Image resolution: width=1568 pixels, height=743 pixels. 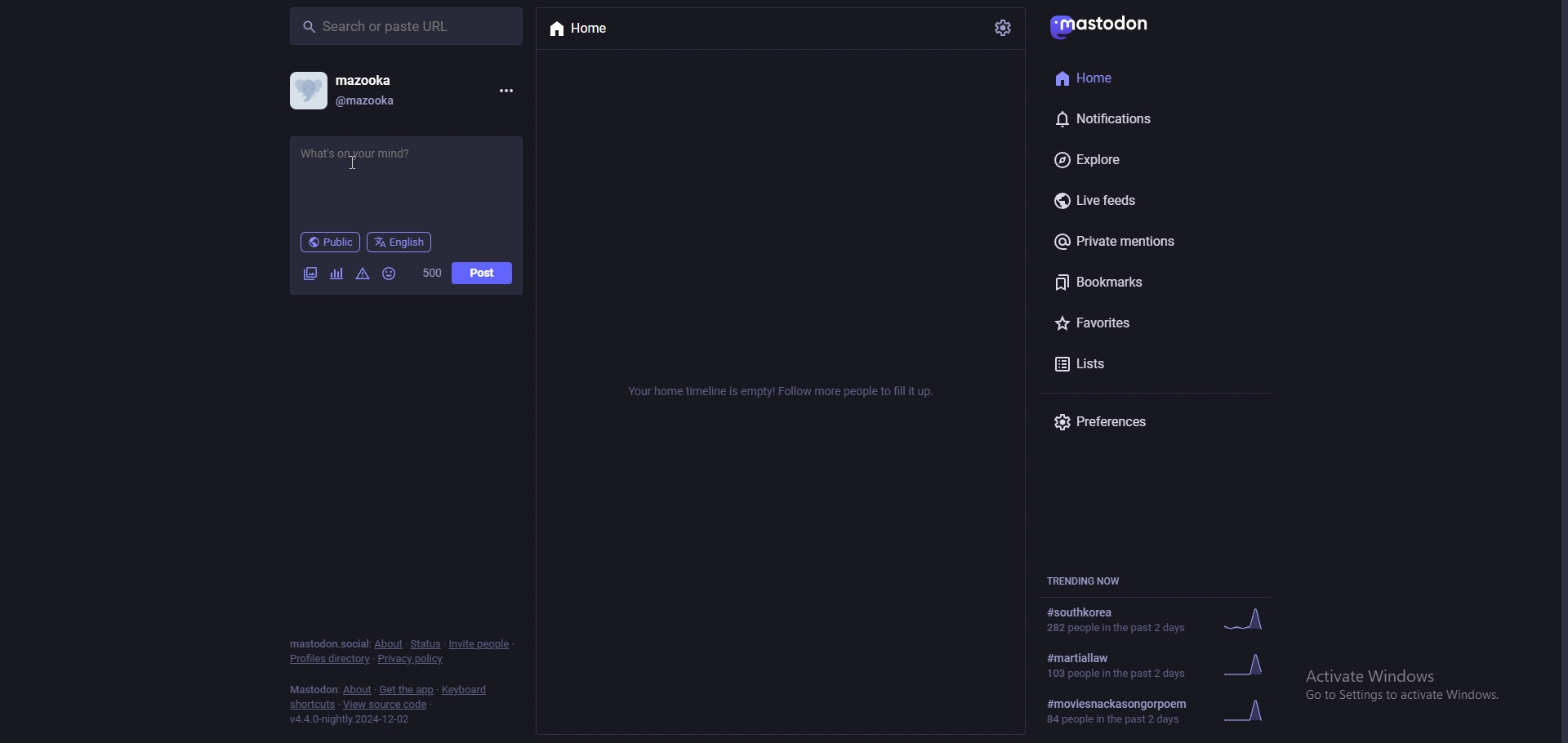 What do you see at coordinates (625, 29) in the screenshot?
I see `home` at bounding box center [625, 29].